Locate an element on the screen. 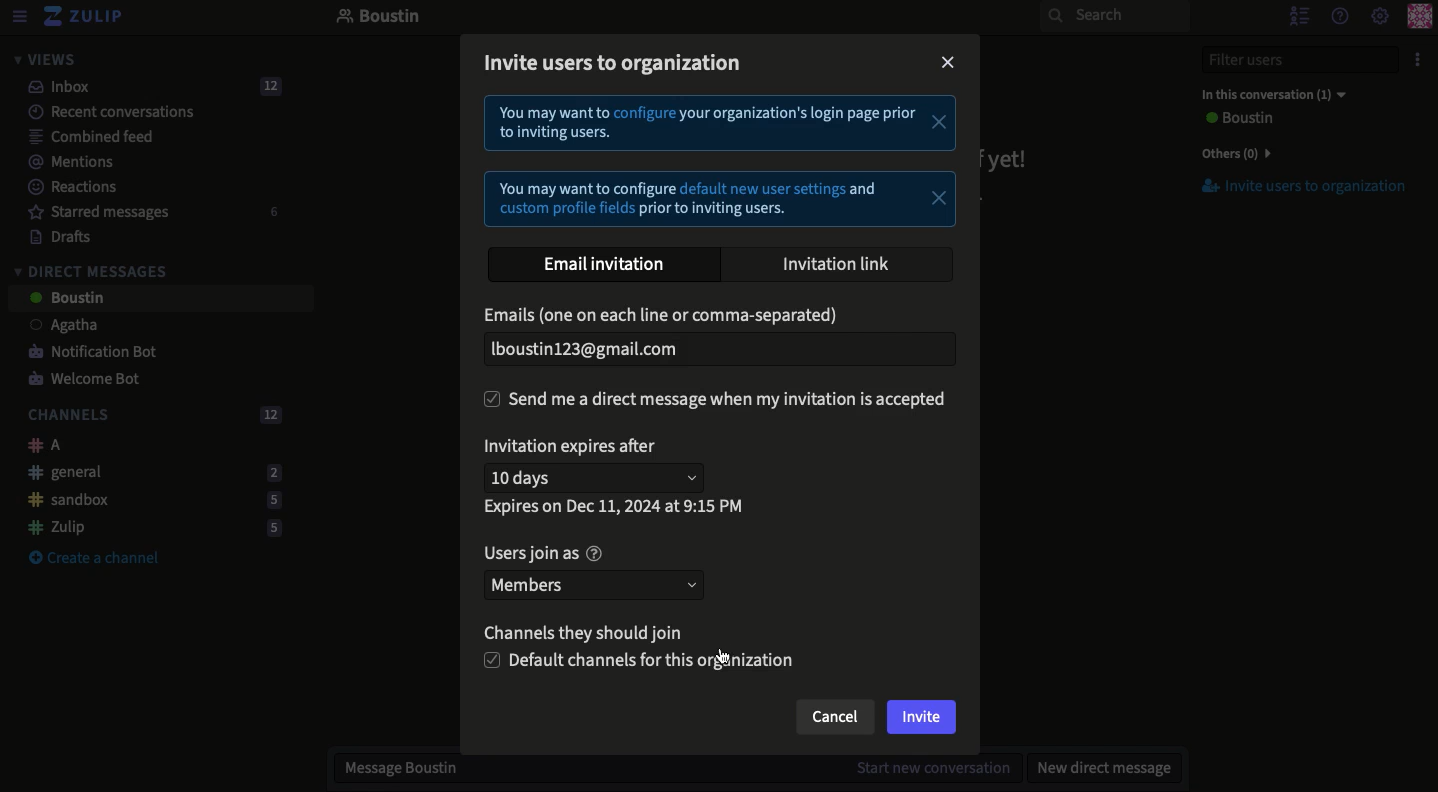 This screenshot has height=792, width=1438. Combined feed is located at coordinates (80, 136).